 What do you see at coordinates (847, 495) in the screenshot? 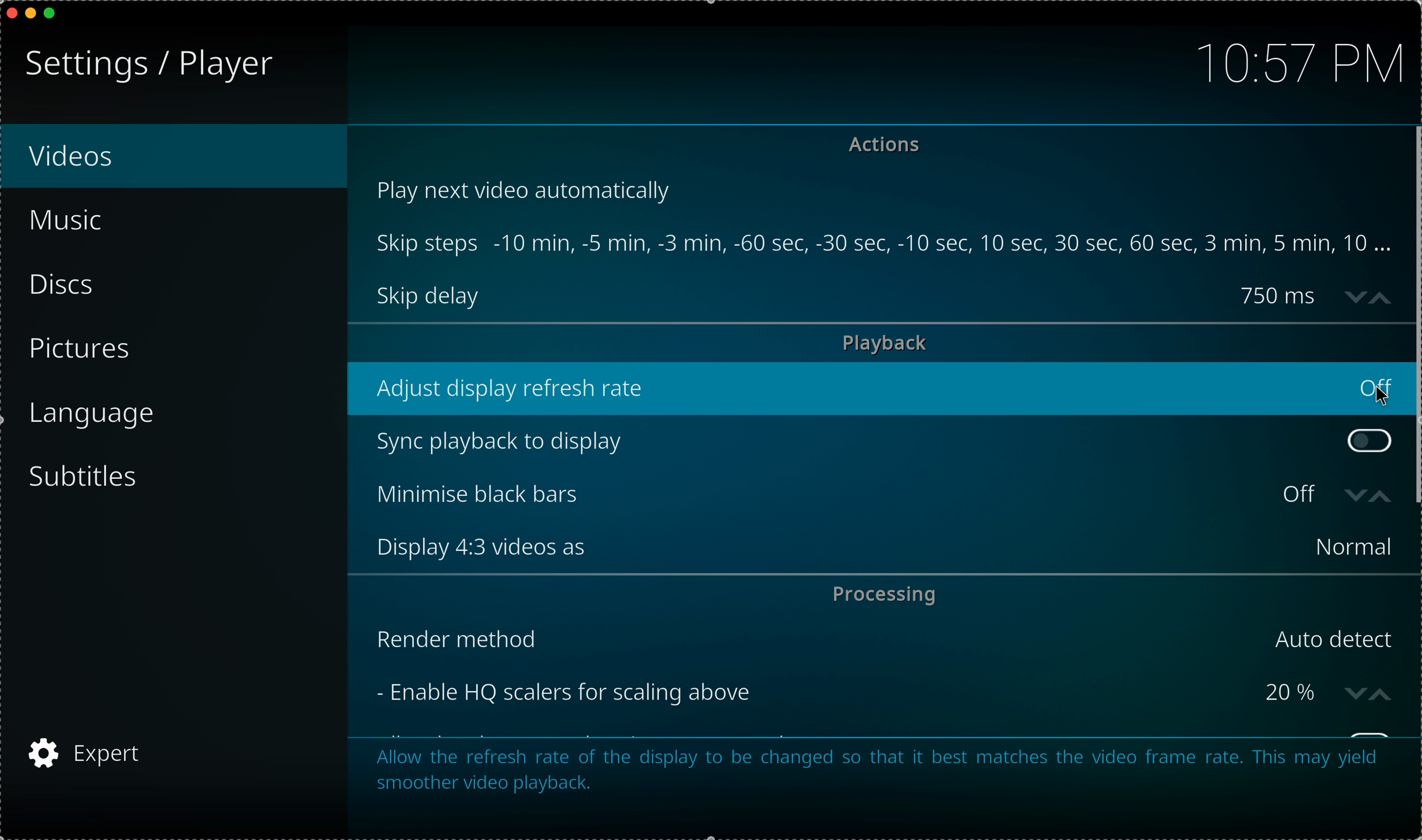
I see `minimise black bars  off` at bounding box center [847, 495].